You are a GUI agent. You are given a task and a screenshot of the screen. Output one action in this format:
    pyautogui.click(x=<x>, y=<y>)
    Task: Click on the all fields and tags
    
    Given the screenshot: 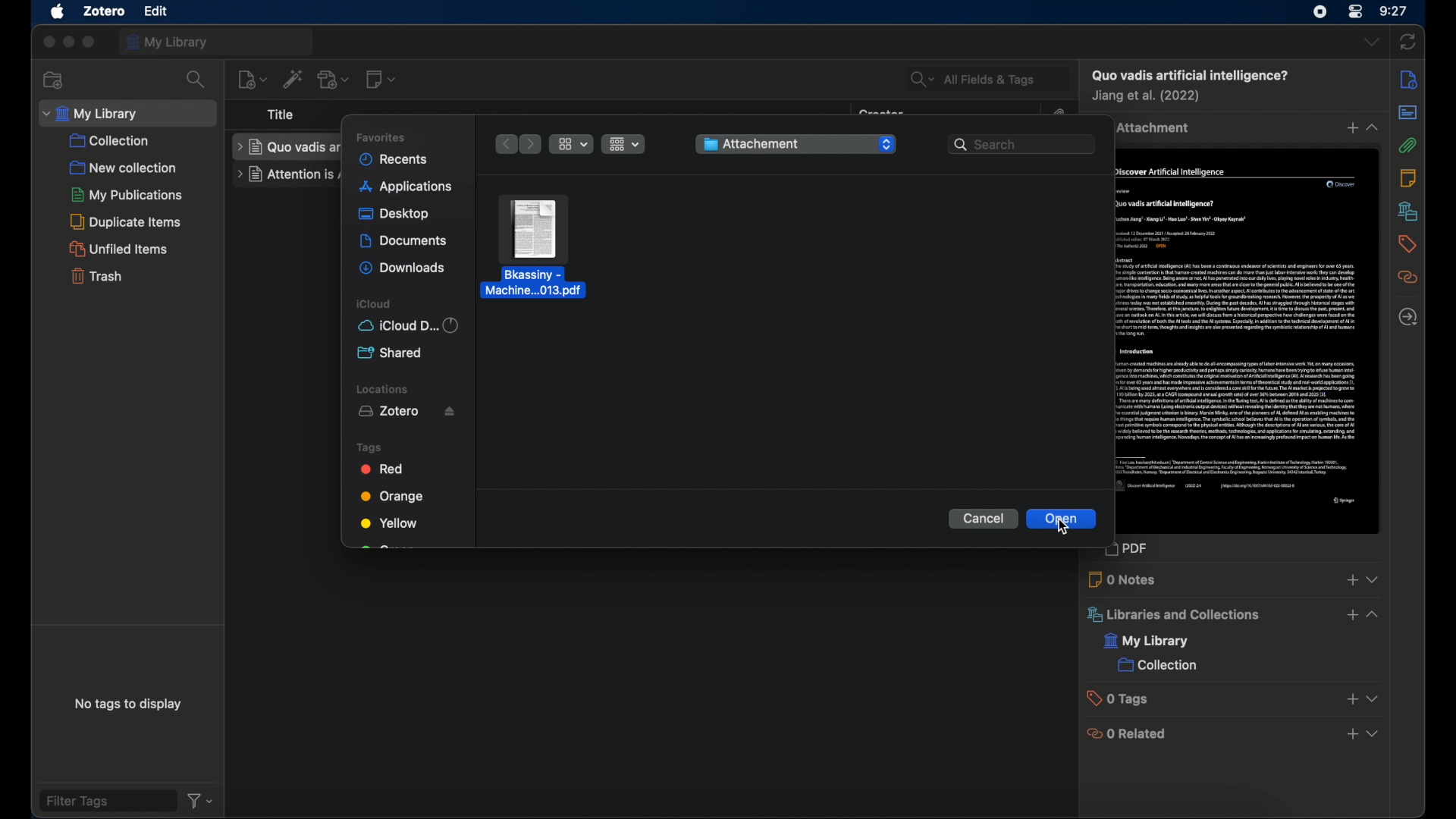 What is the action you would take?
    pyautogui.click(x=987, y=78)
    